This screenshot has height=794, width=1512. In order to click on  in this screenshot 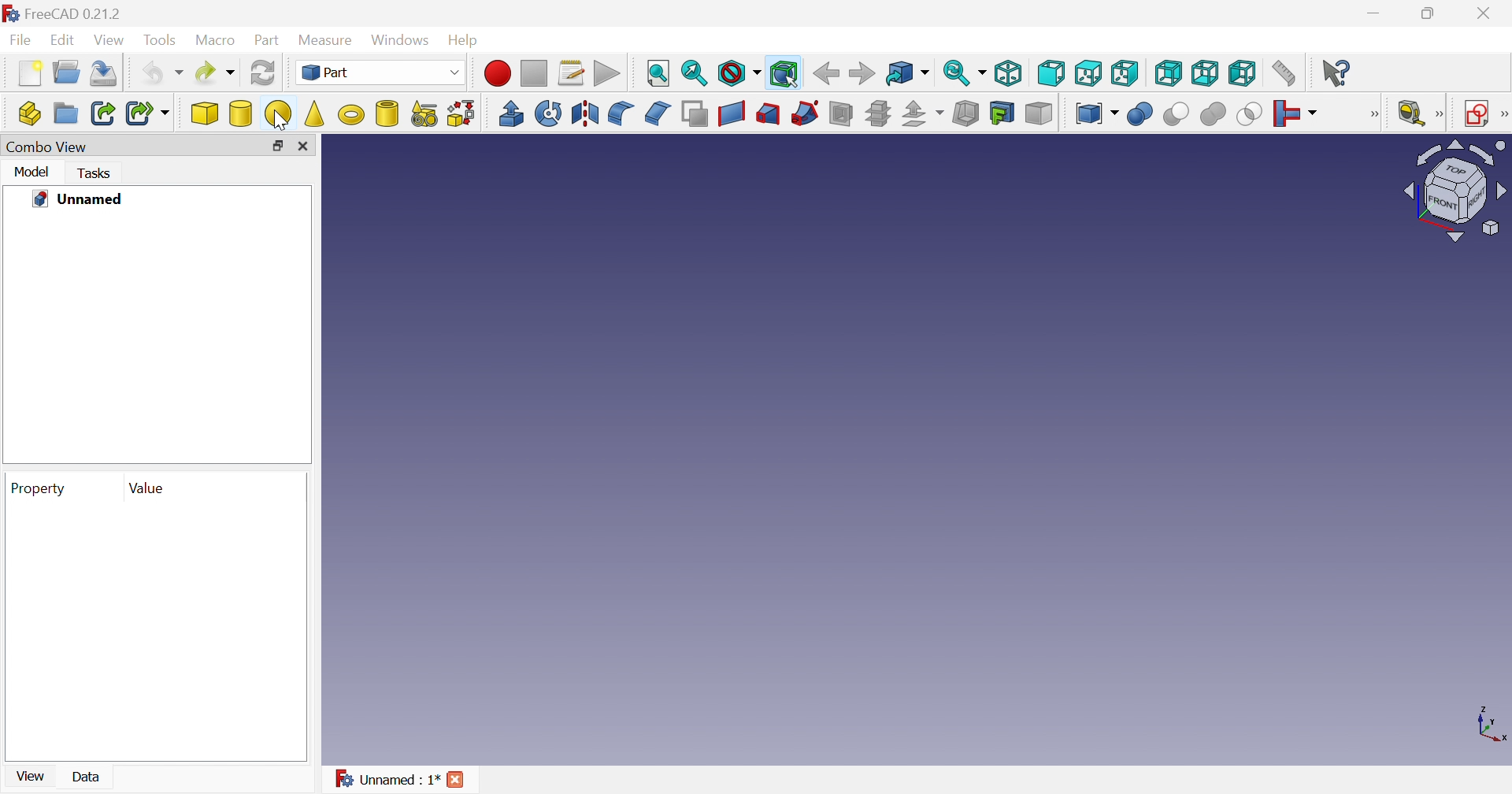, I will do `click(1455, 192)`.